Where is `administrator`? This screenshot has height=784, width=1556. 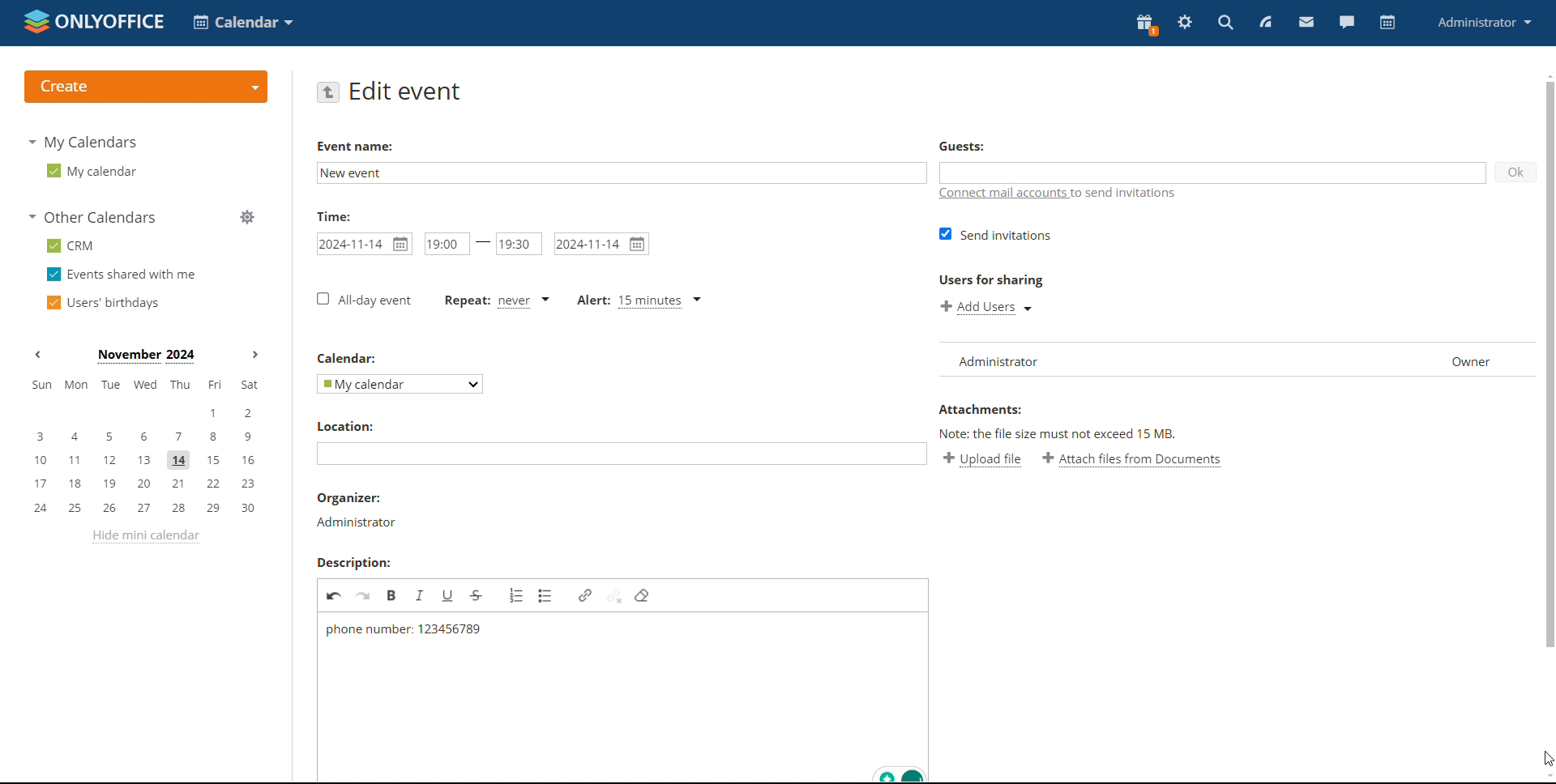 administrator is located at coordinates (357, 522).